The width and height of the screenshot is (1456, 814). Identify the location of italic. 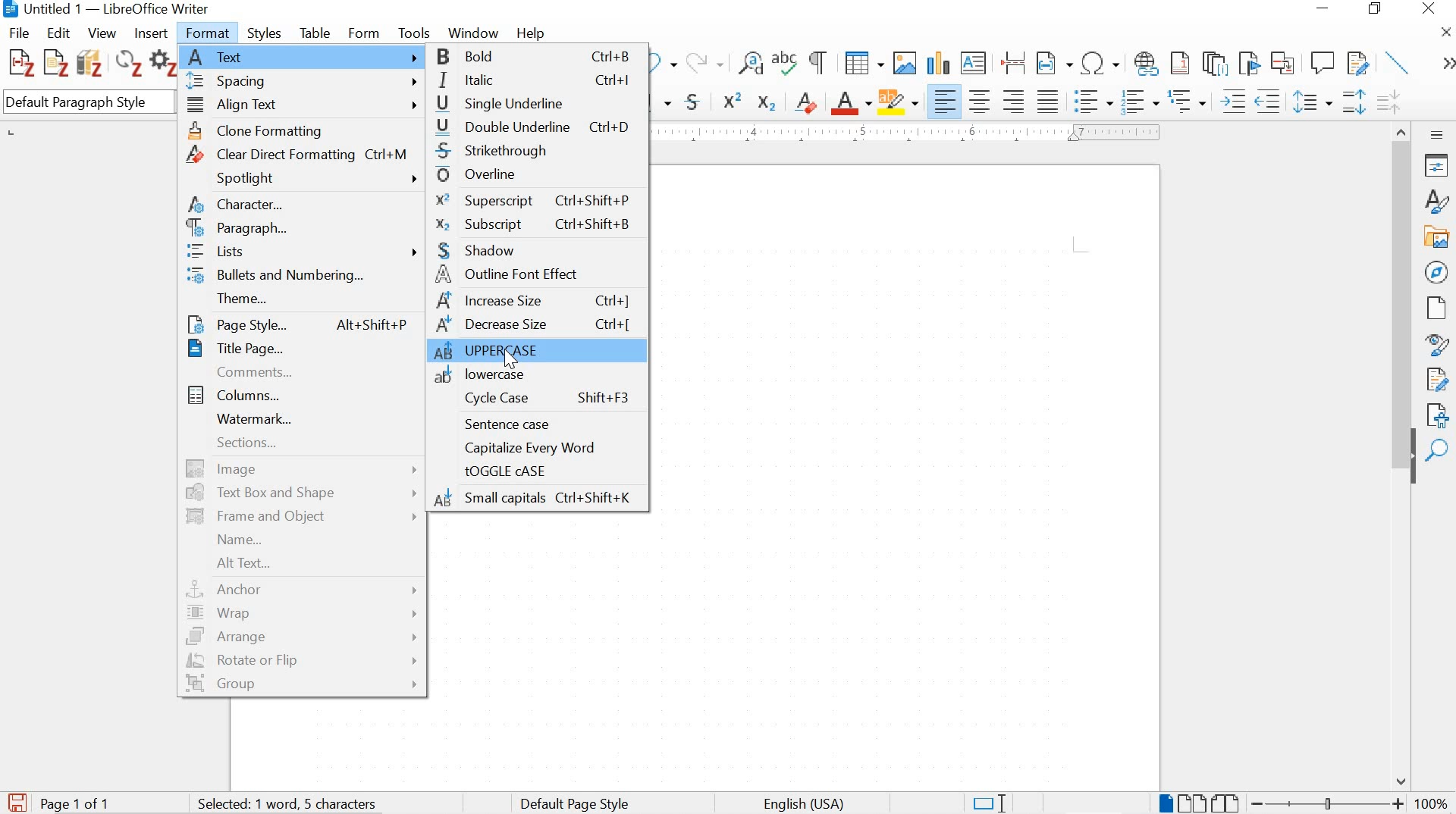
(538, 81).